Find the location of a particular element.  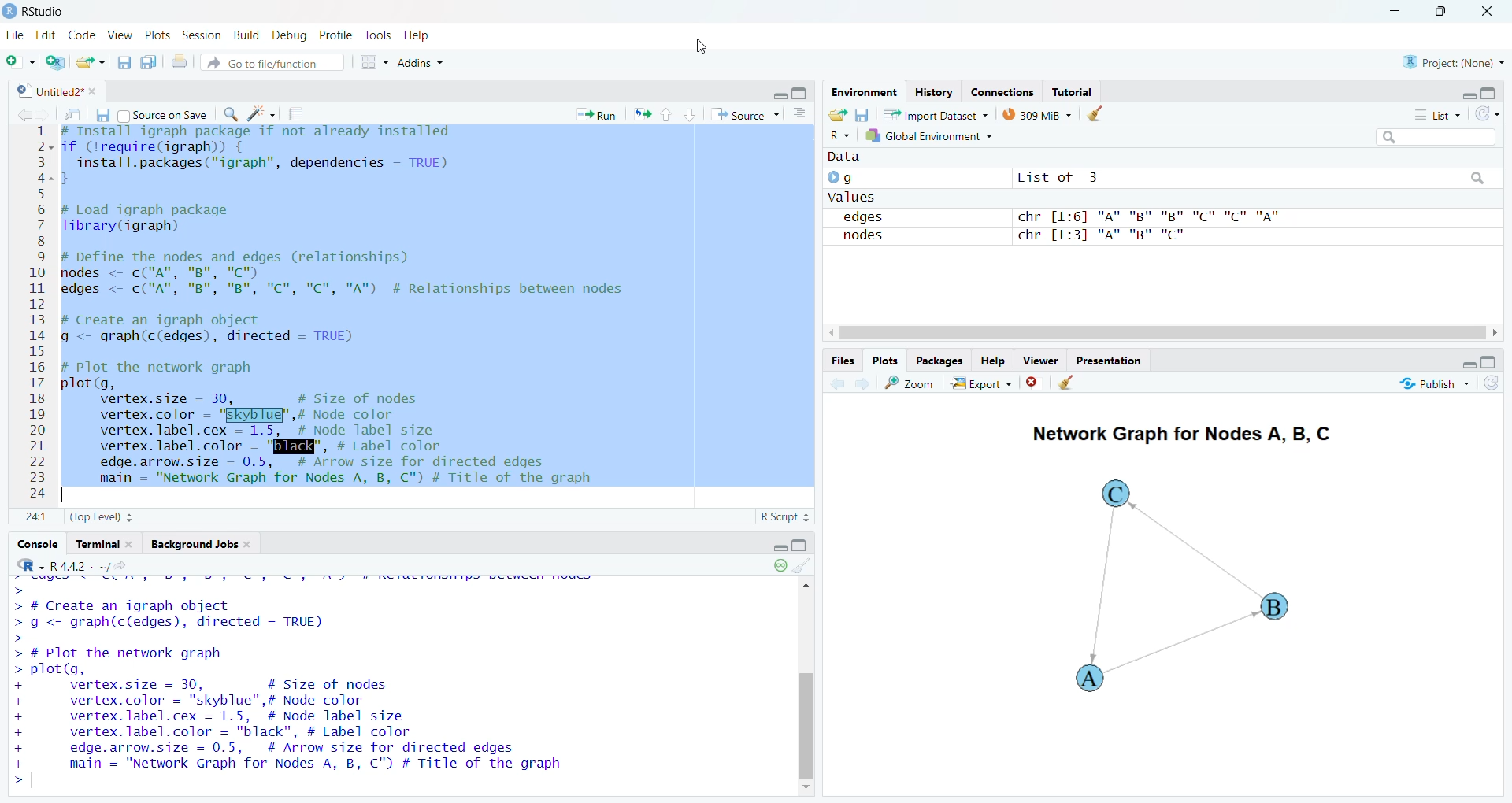

309 MiB ~ is located at coordinates (1039, 113).